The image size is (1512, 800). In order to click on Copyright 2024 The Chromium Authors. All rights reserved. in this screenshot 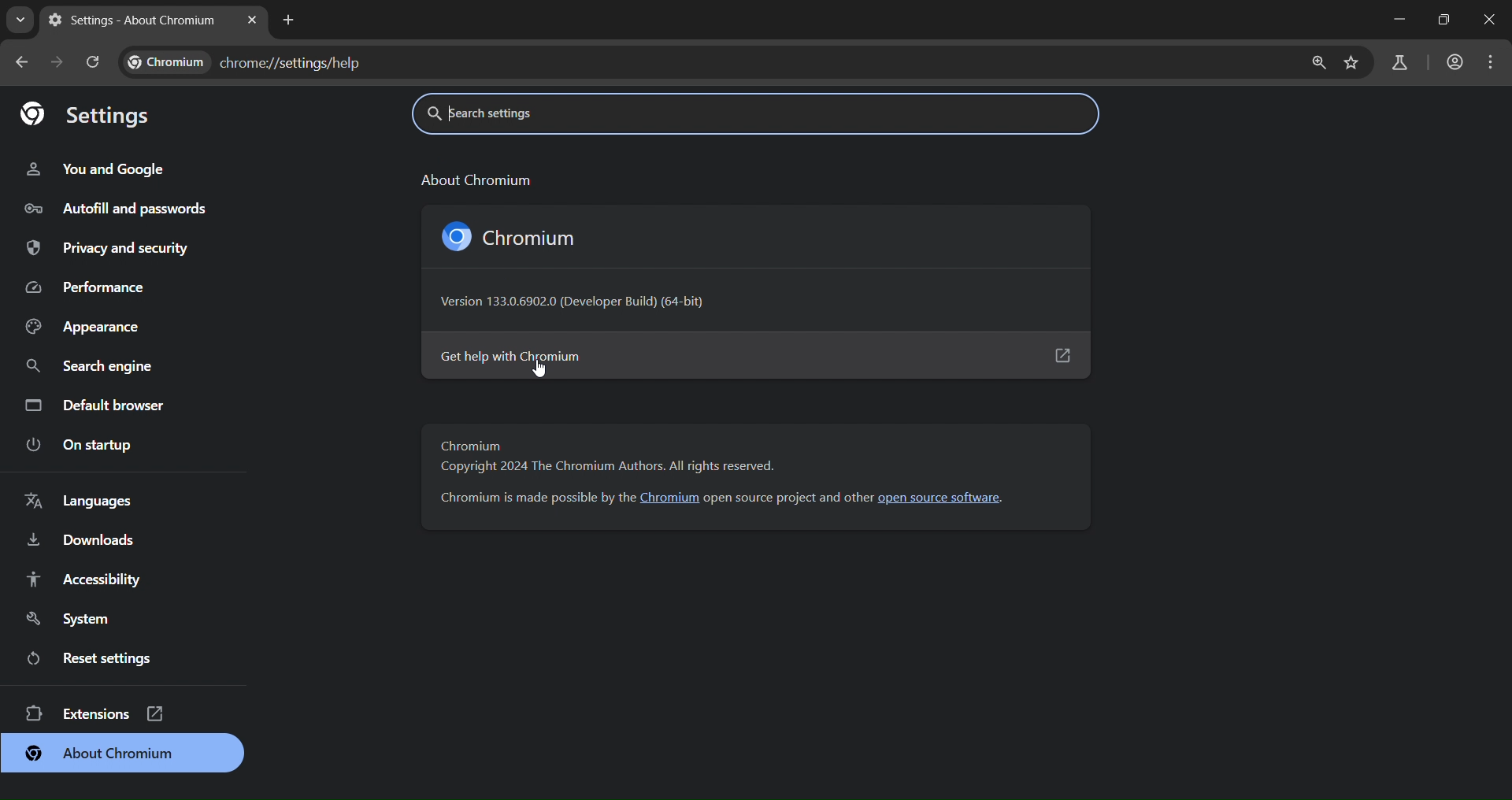, I will do `click(606, 469)`.